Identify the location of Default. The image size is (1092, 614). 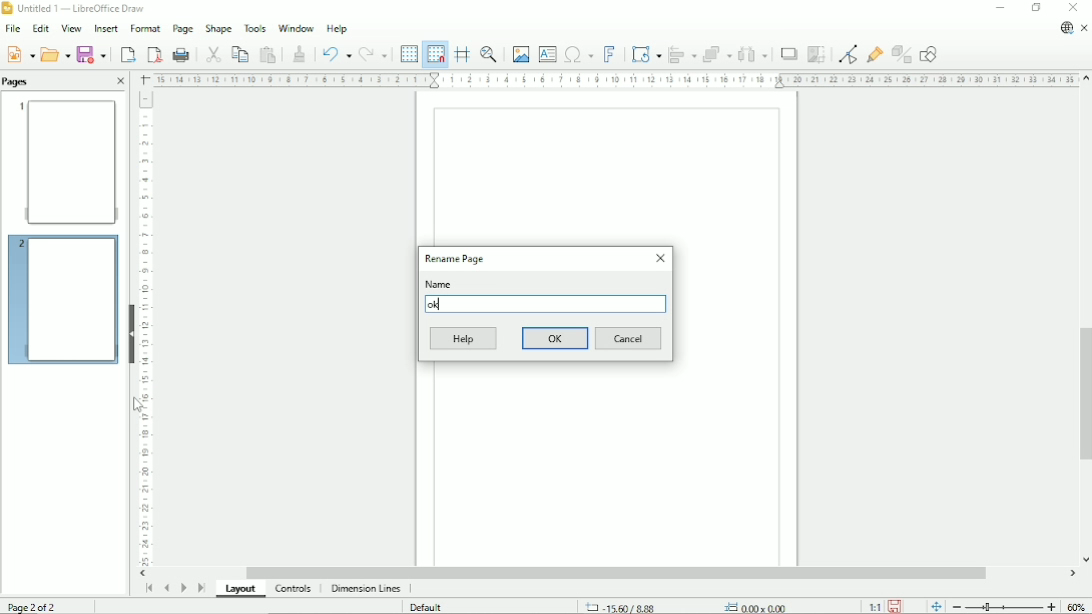
(428, 607).